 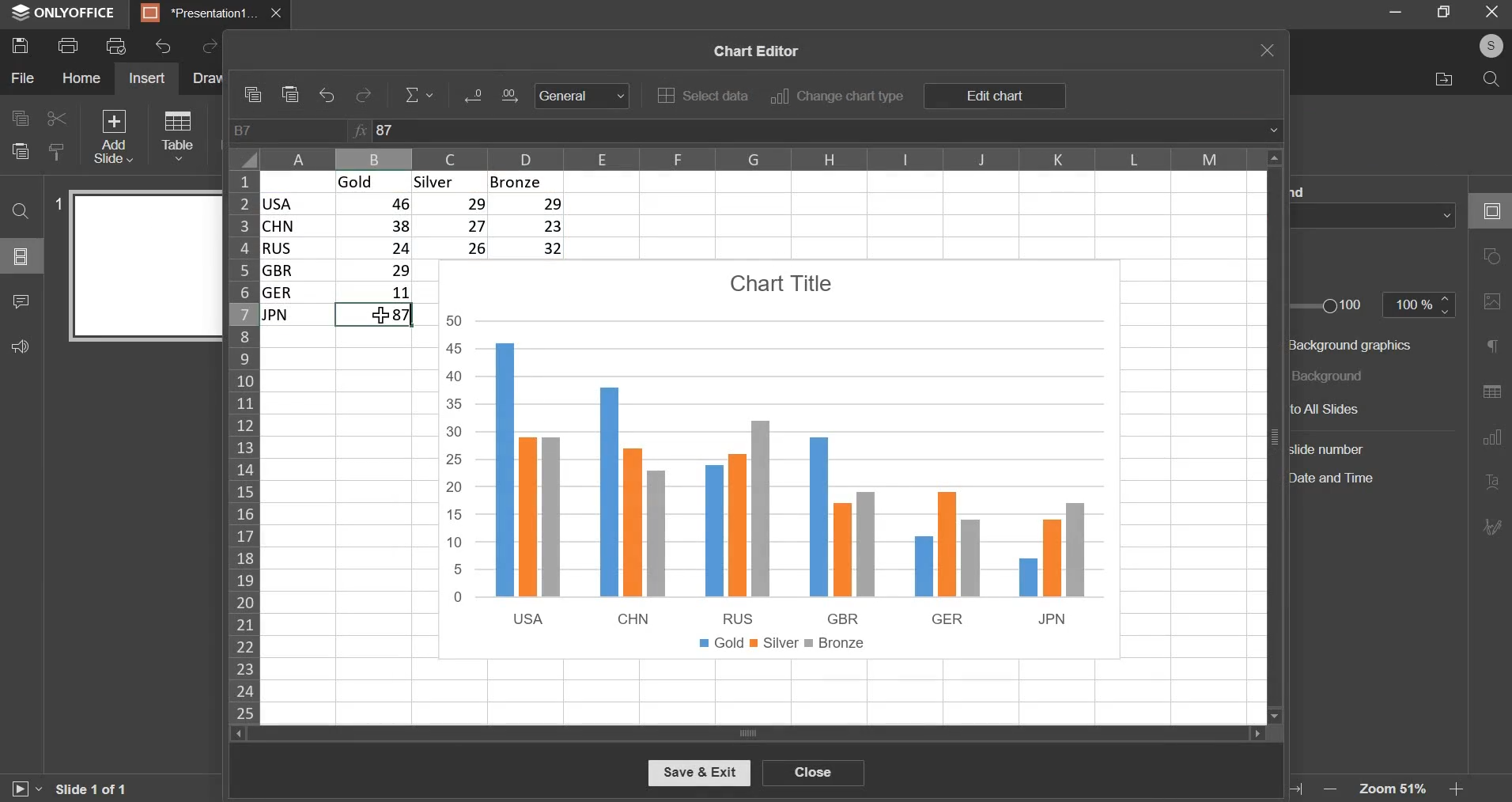 What do you see at coordinates (453, 206) in the screenshot?
I see `29` at bounding box center [453, 206].